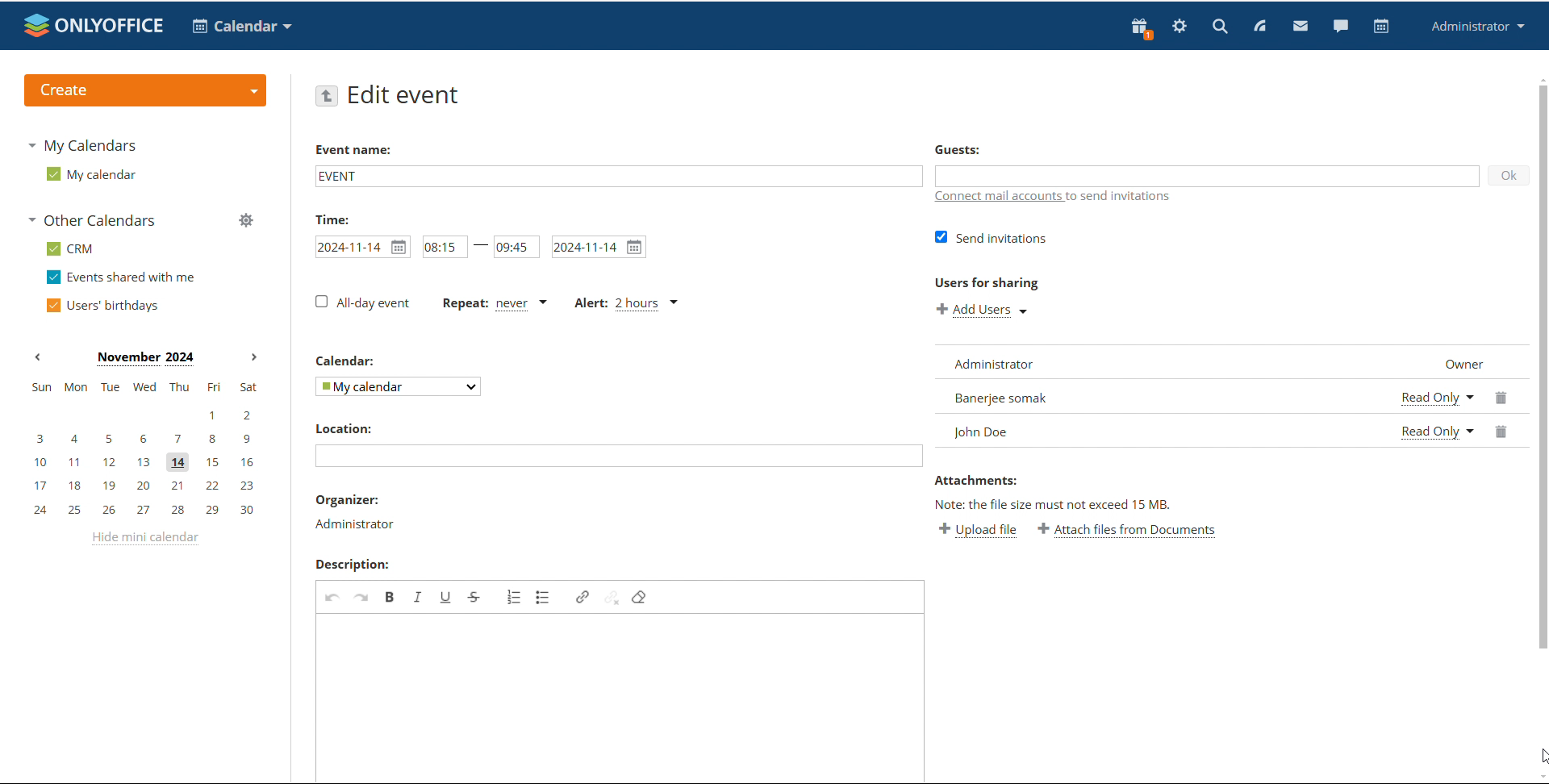 This screenshot has width=1549, height=784. Describe the element at coordinates (103, 306) in the screenshot. I see `users' birthdays` at that location.